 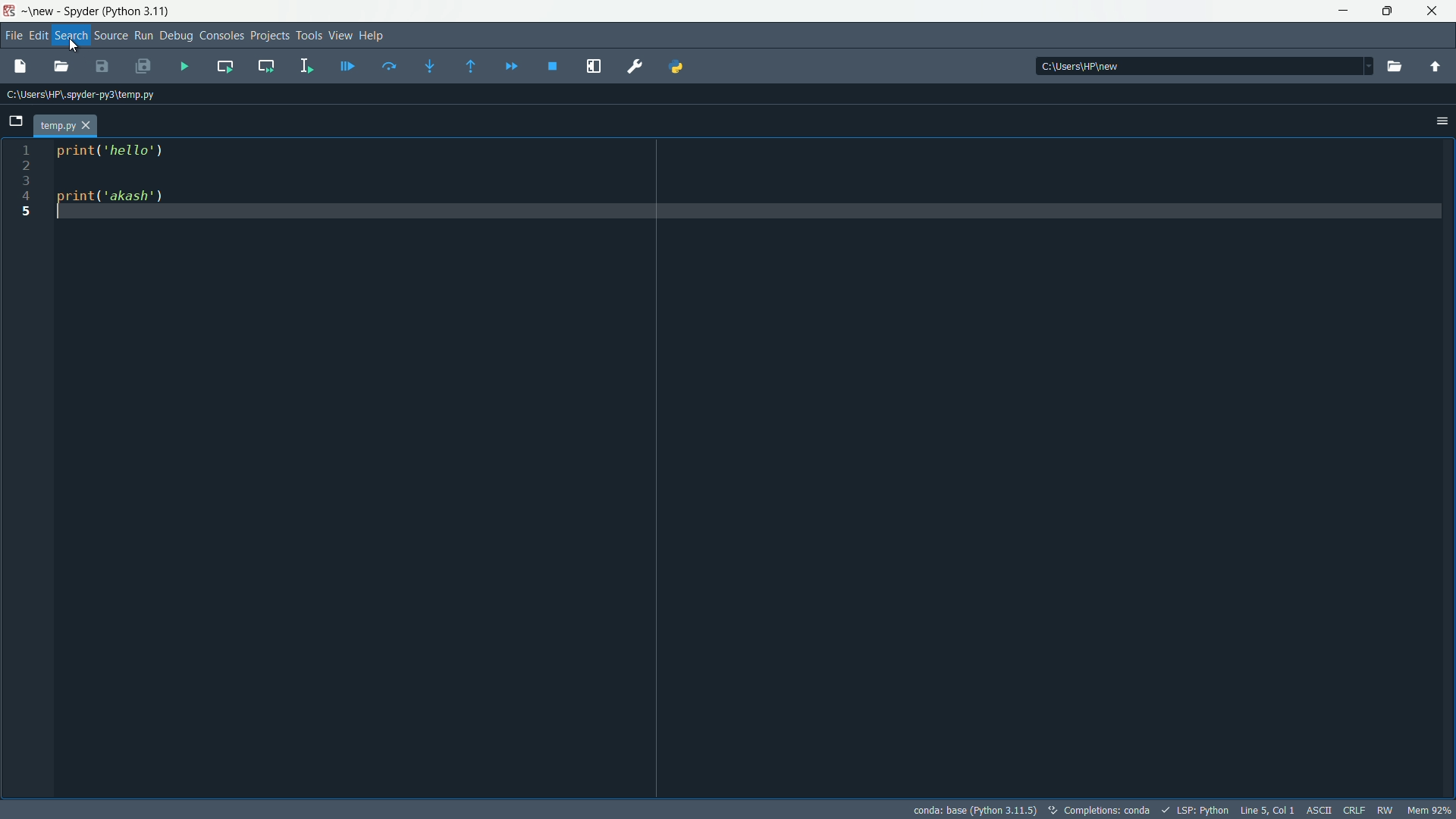 What do you see at coordinates (1432, 67) in the screenshot?
I see `parent directory` at bounding box center [1432, 67].